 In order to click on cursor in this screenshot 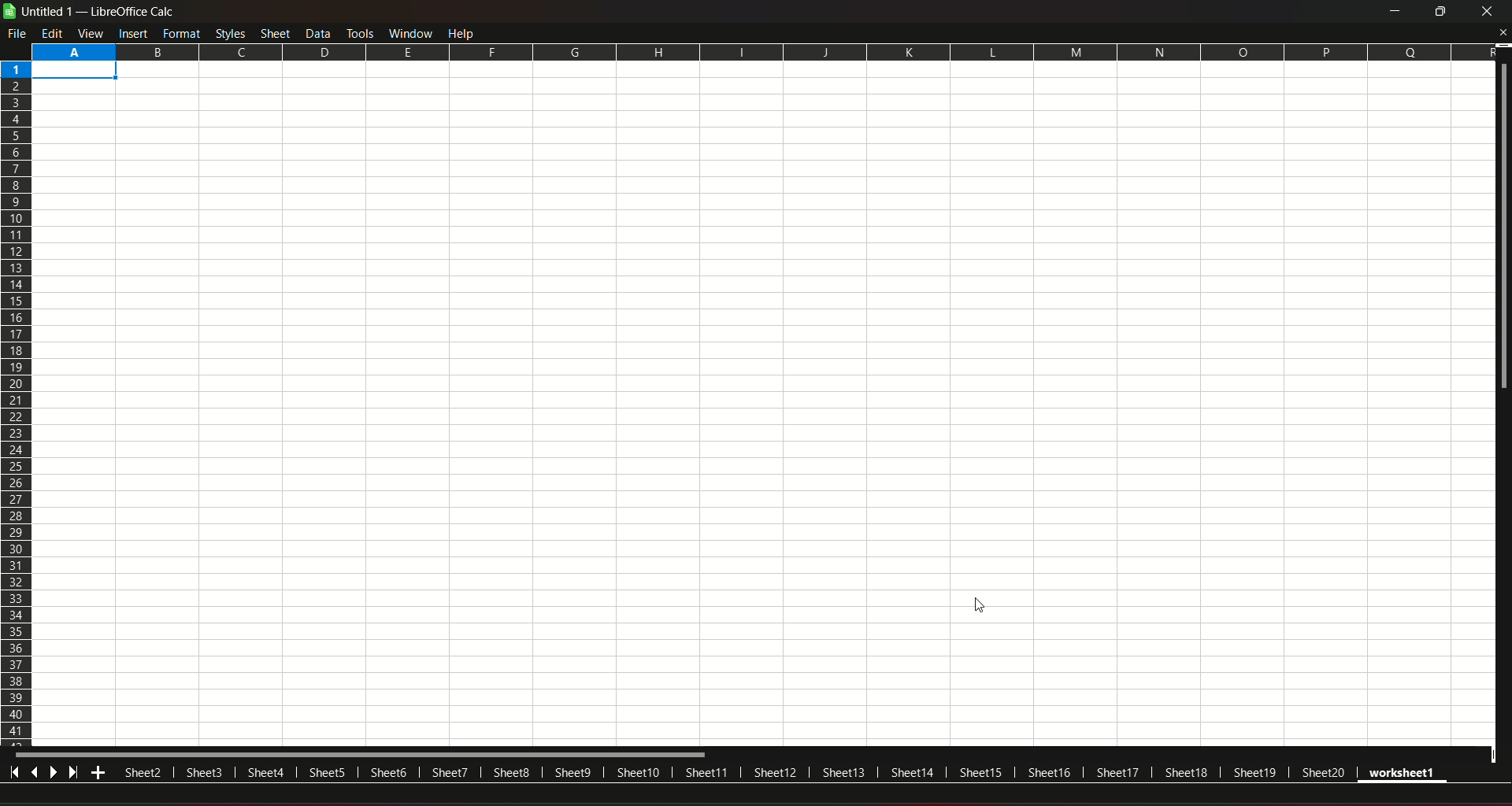, I will do `click(981, 607)`.